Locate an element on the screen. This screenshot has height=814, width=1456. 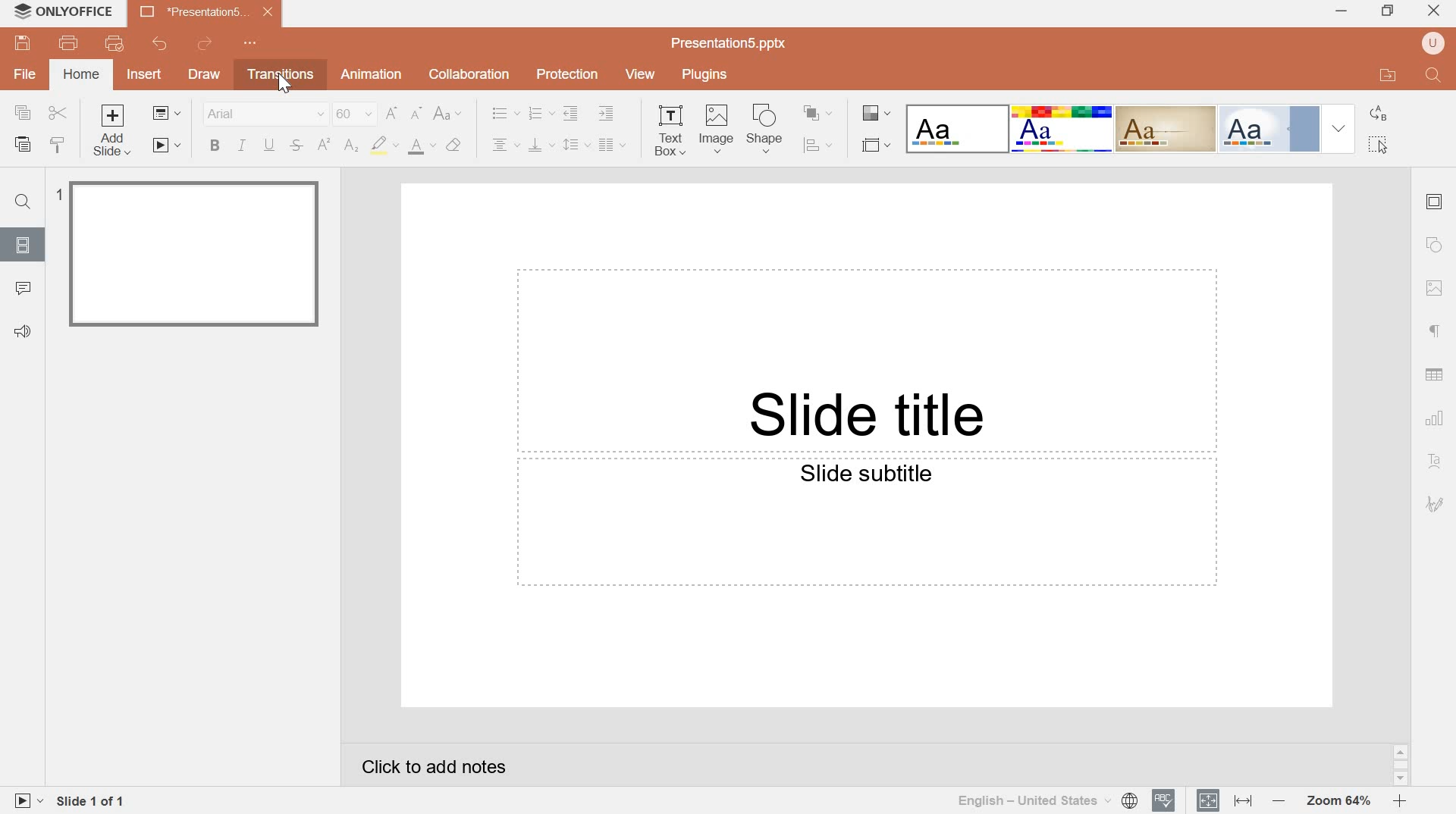
Presentation5.pptx is located at coordinates (730, 42).